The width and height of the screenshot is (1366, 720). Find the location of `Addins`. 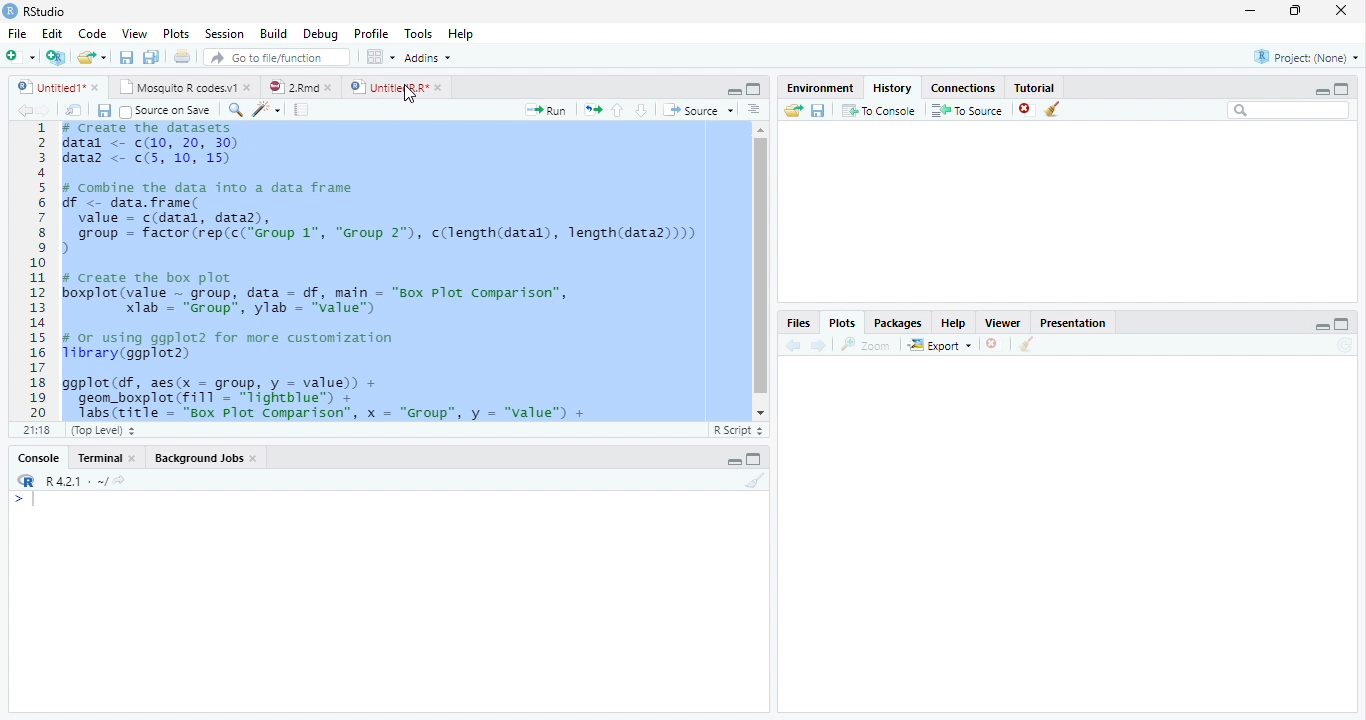

Addins is located at coordinates (426, 57).